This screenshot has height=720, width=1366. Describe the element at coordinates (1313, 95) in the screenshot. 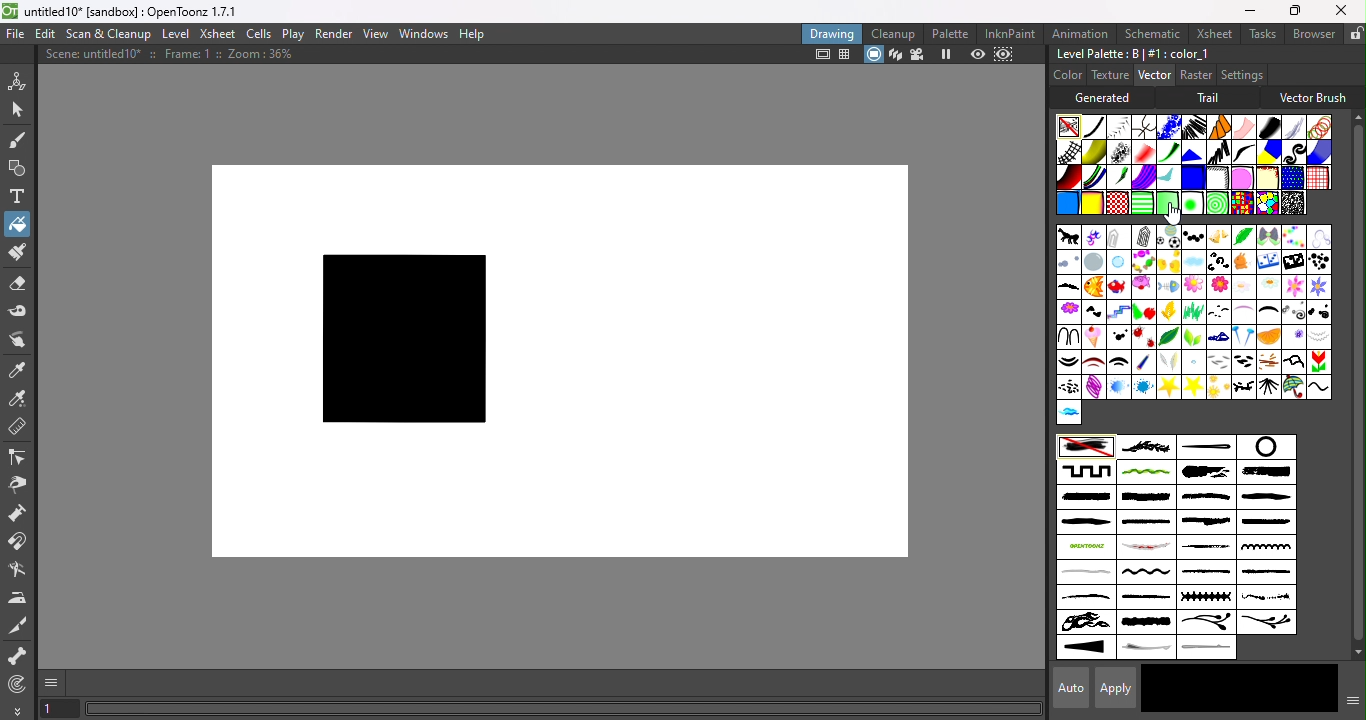

I see `Vector Brush` at that location.